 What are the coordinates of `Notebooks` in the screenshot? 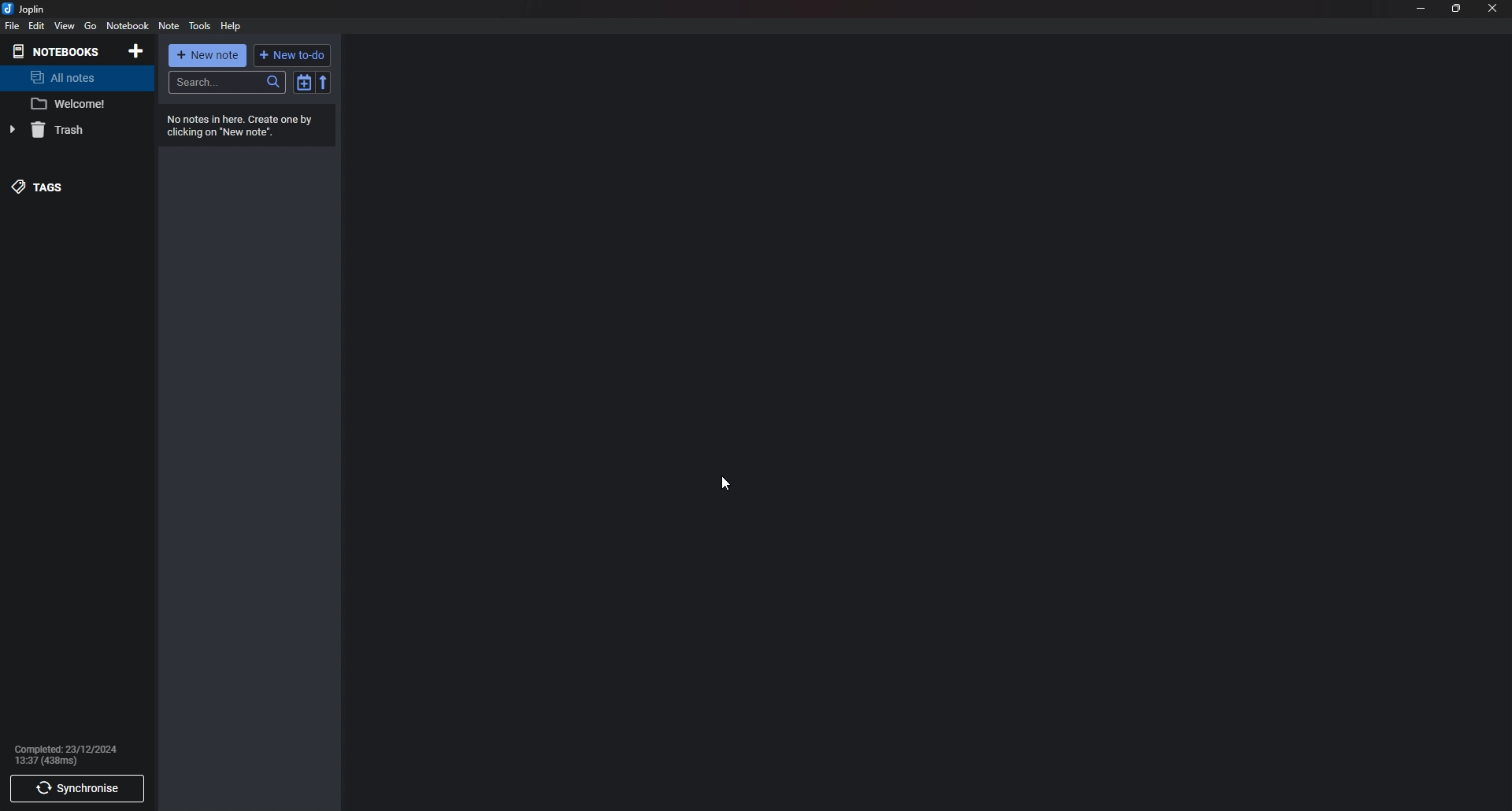 It's located at (61, 52).